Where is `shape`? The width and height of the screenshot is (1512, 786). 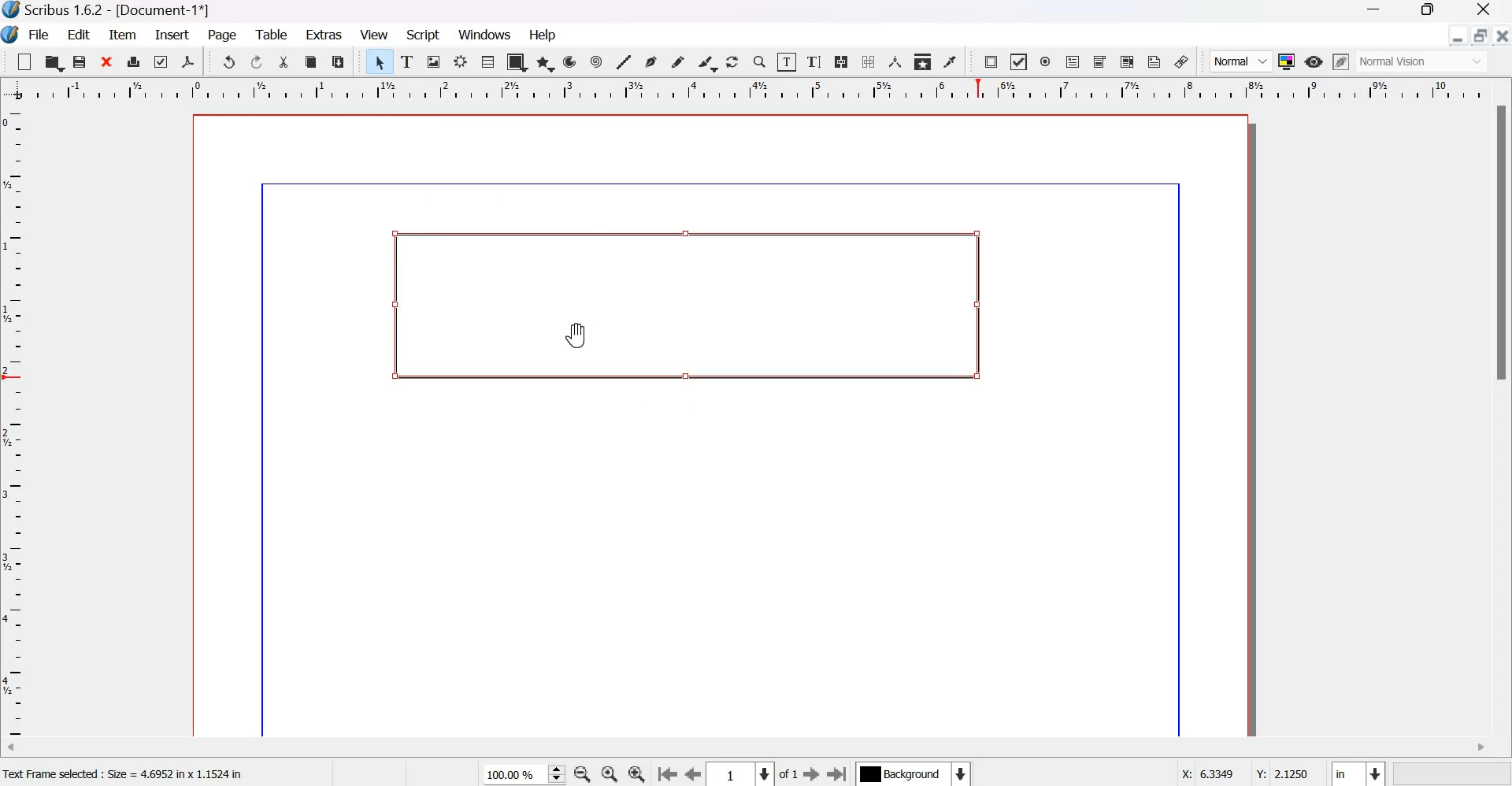 shape is located at coordinates (517, 61).